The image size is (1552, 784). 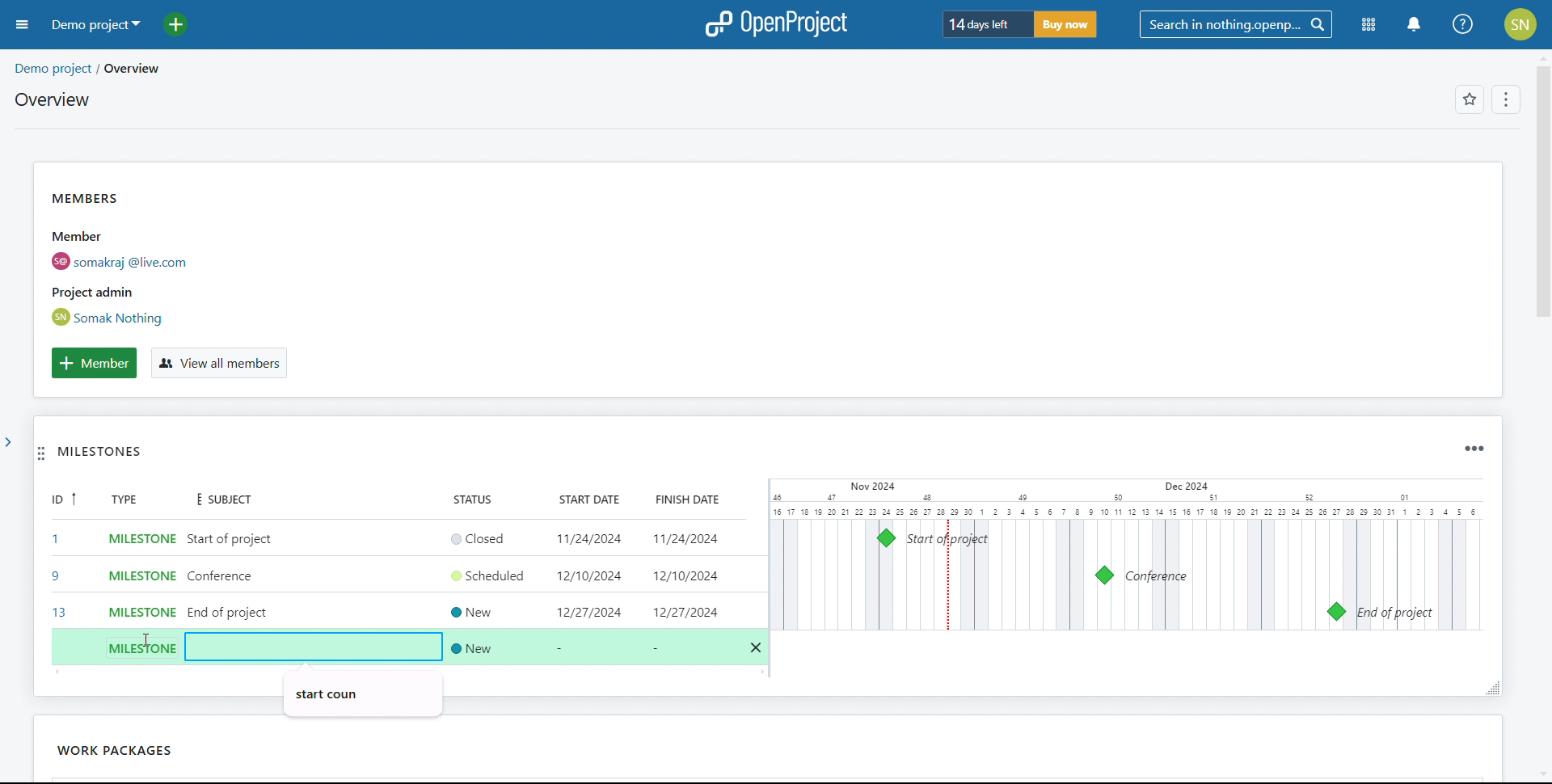 I want to click on demo project, so click(x=94, y=24).